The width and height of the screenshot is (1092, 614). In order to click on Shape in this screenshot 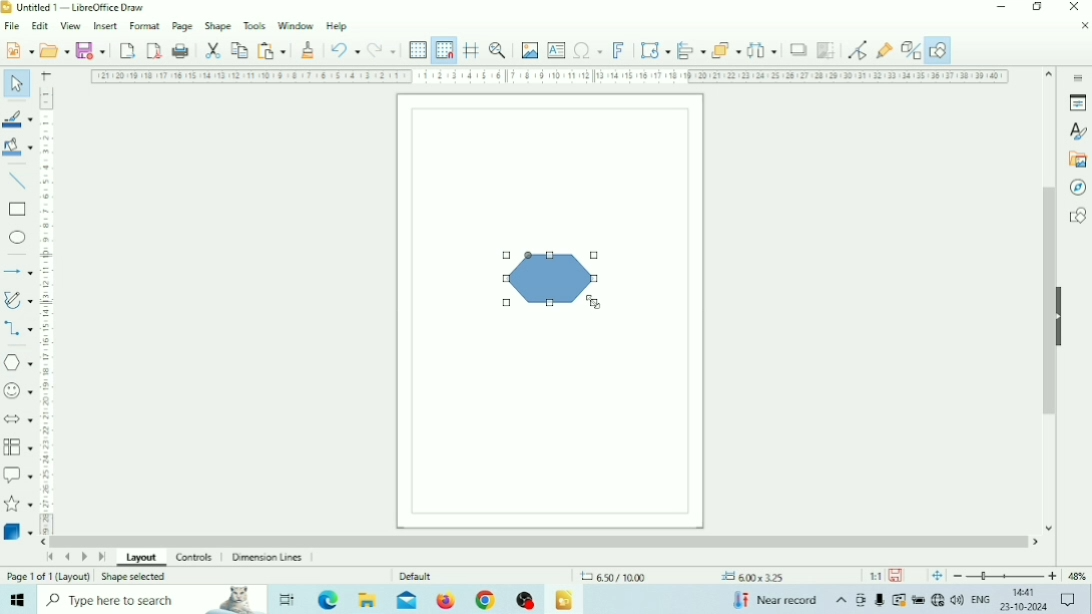, I will do `click(218, 26)`.